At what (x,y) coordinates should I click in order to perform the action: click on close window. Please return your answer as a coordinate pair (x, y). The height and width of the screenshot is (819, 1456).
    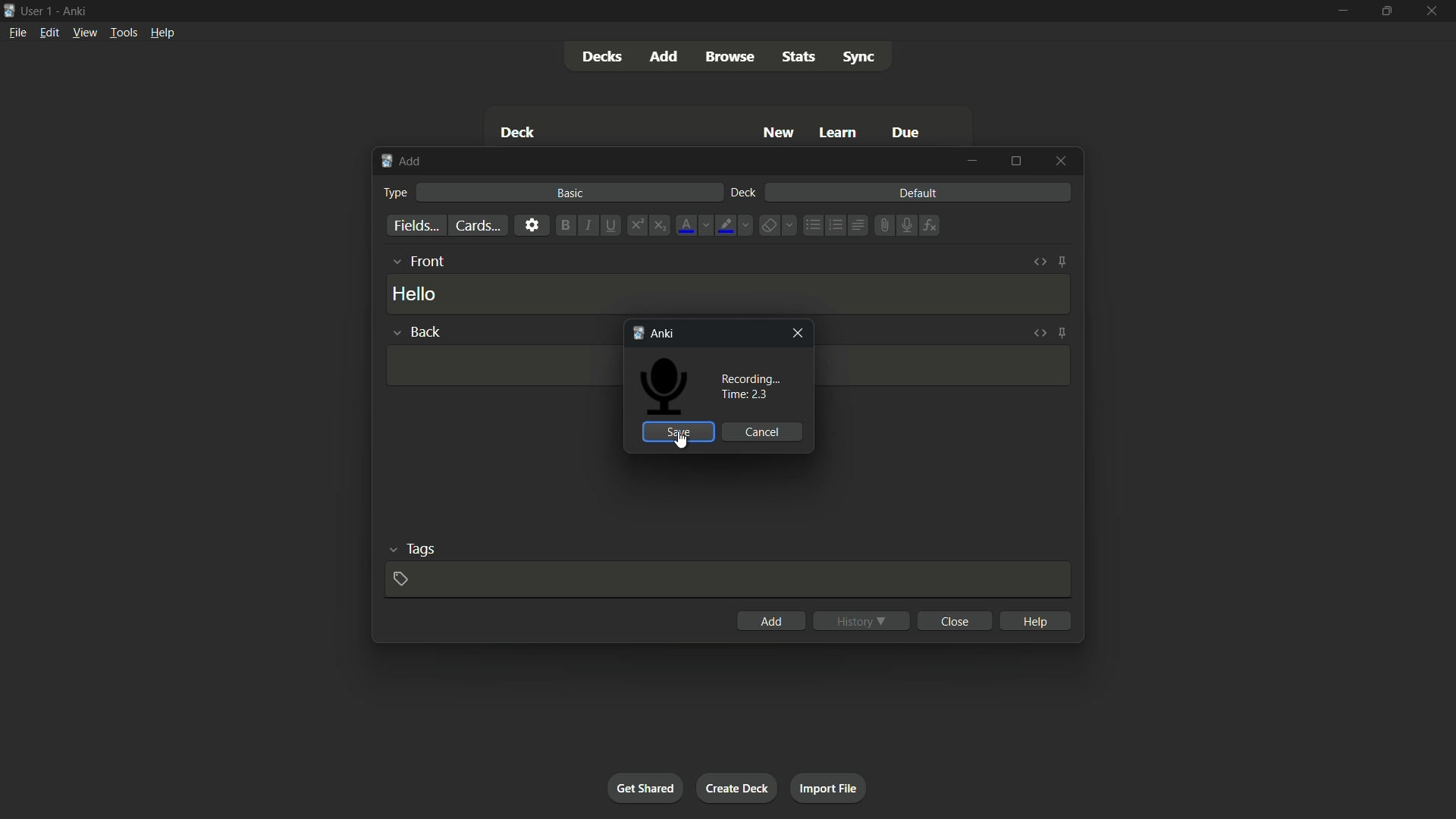
    Looking at the image, I should click on (798, 334).